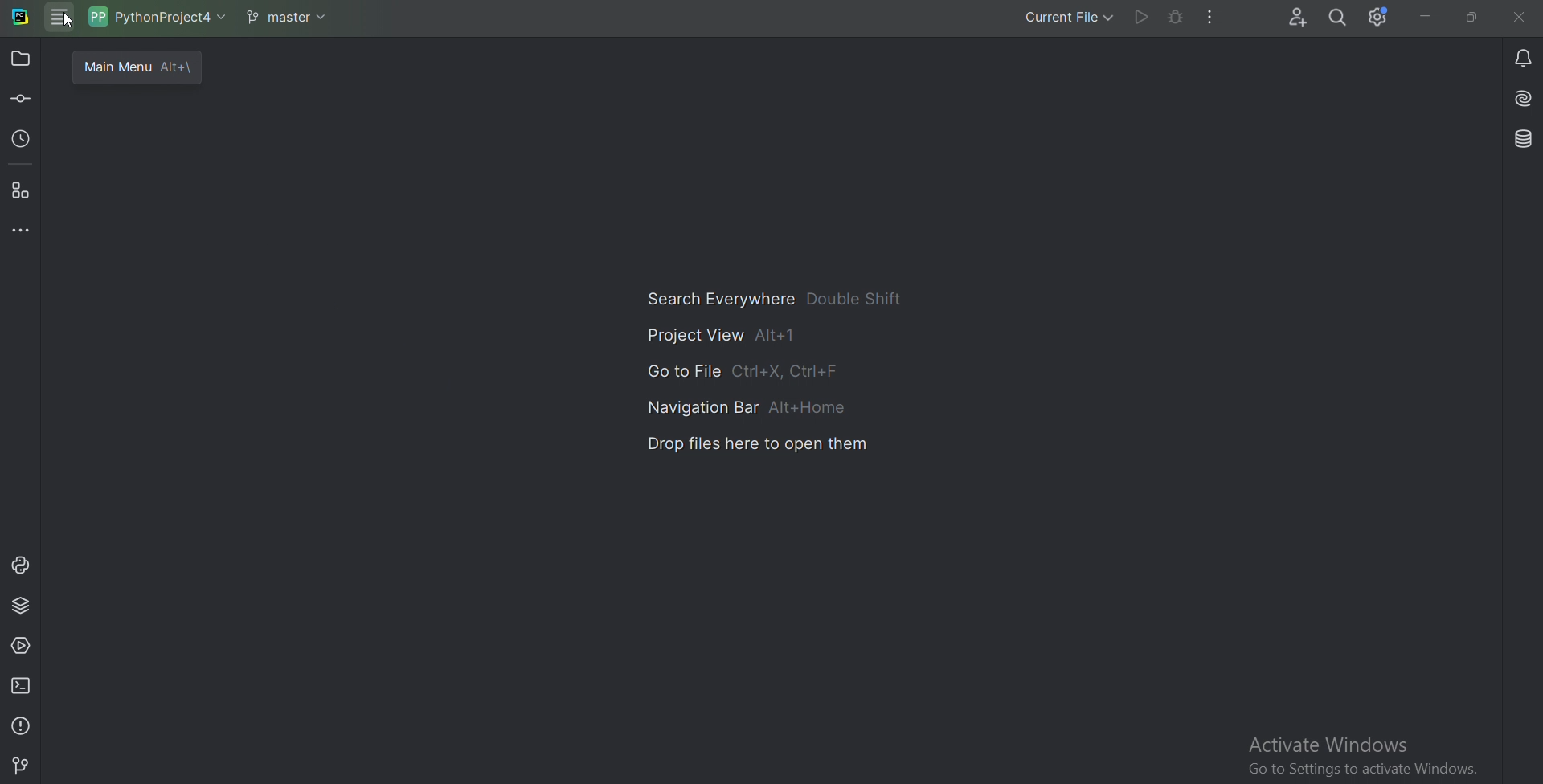 This screenshot has height=784, width=1543. I want to click on Code with me, so click(1296, 18).